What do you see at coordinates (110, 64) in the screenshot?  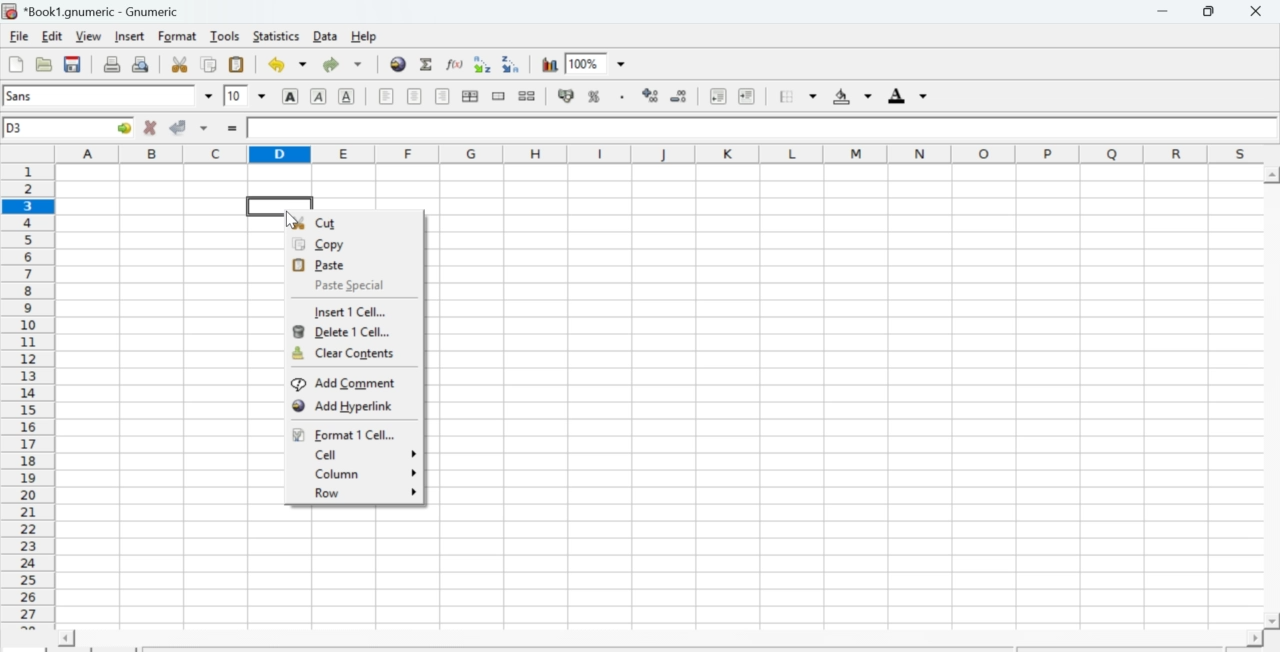 I see `Print` at bounding box center [110, 64].